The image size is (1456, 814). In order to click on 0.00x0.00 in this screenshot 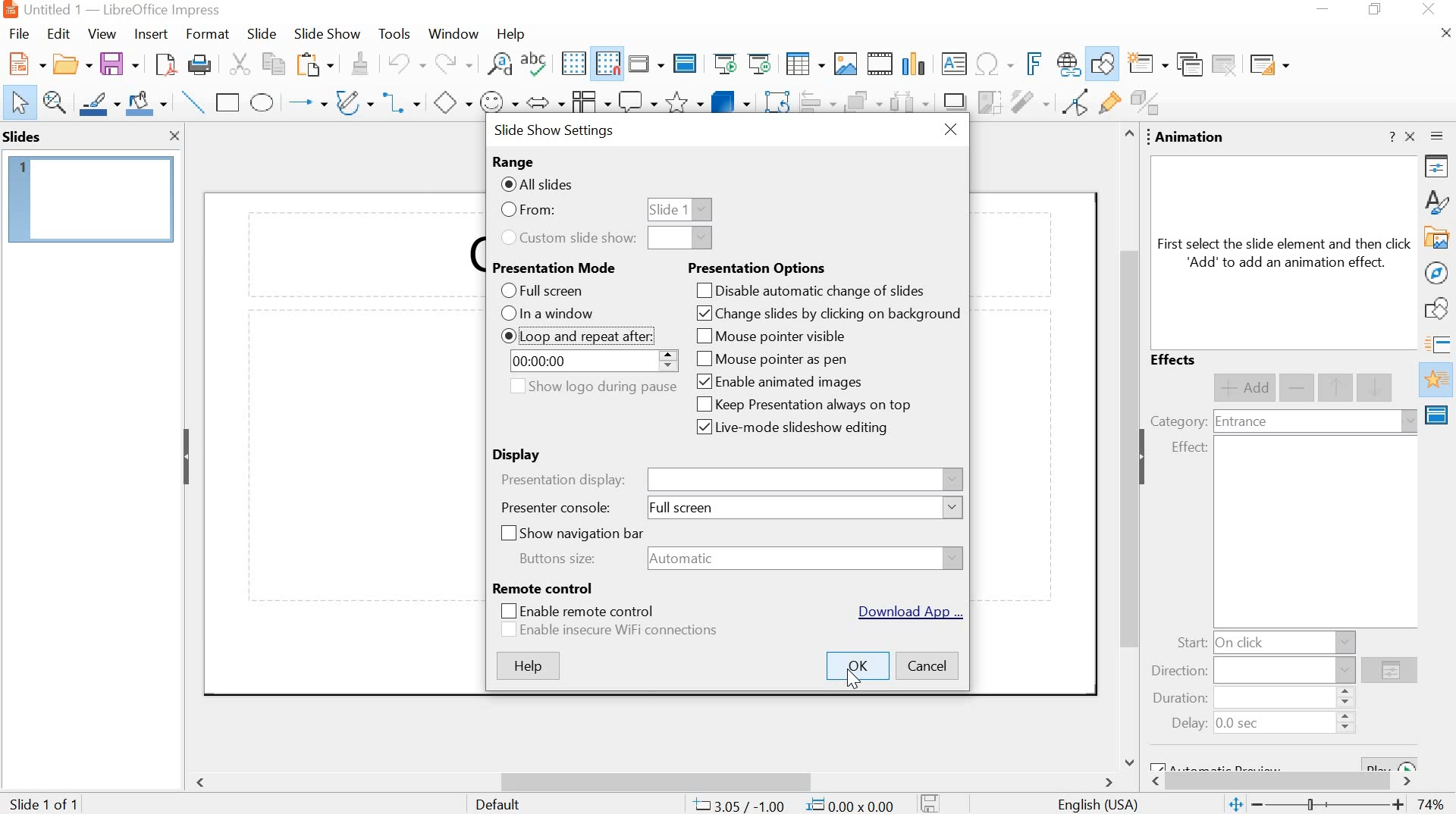, I will do `click(852, 803)`.